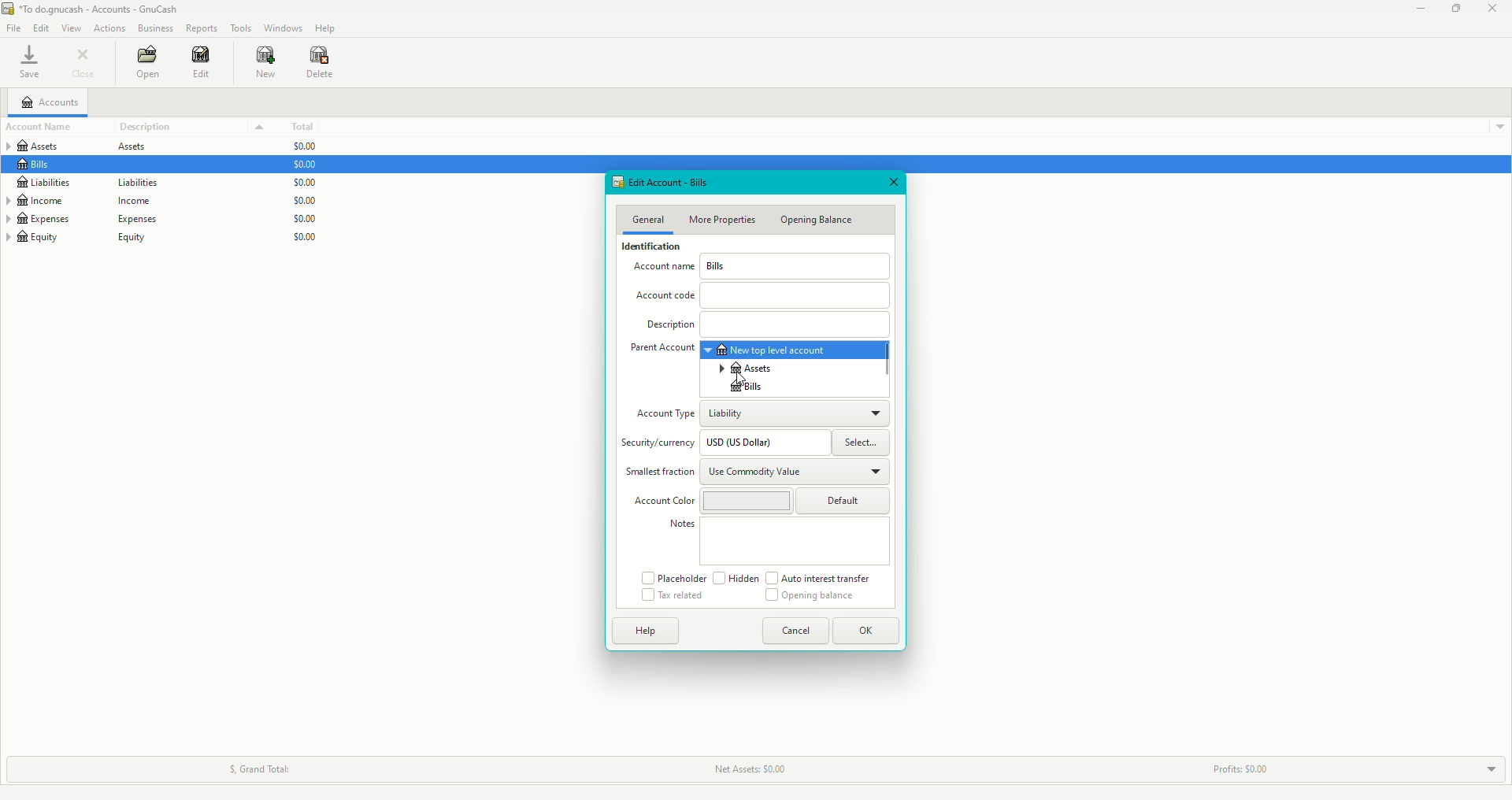  Describe the element at coordinates (192, 127) in the screenshot. I see `Description` at that location.